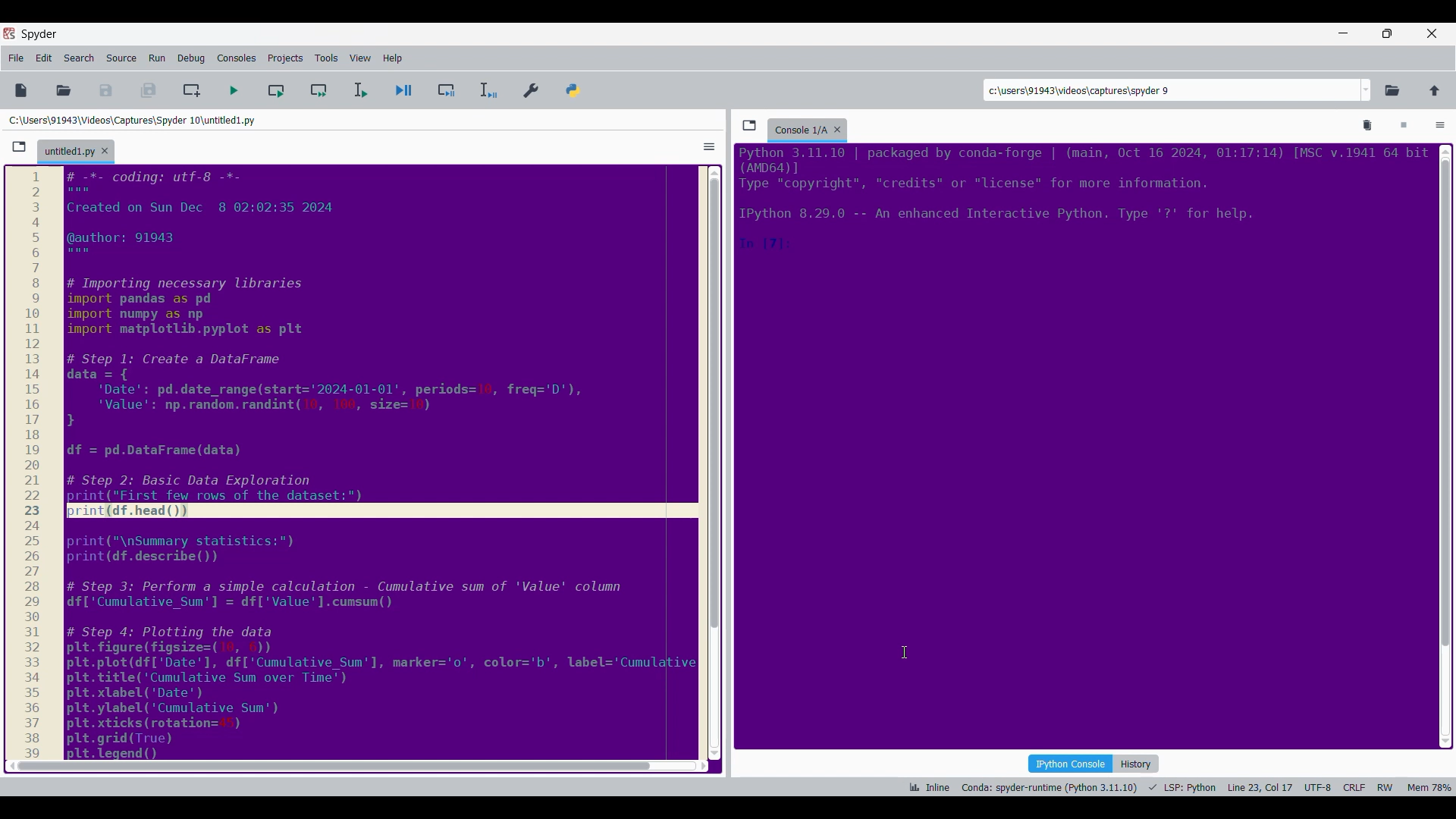 This screenshot has height=819, width=1456. I want to click on Close tab, so click(841, 127).